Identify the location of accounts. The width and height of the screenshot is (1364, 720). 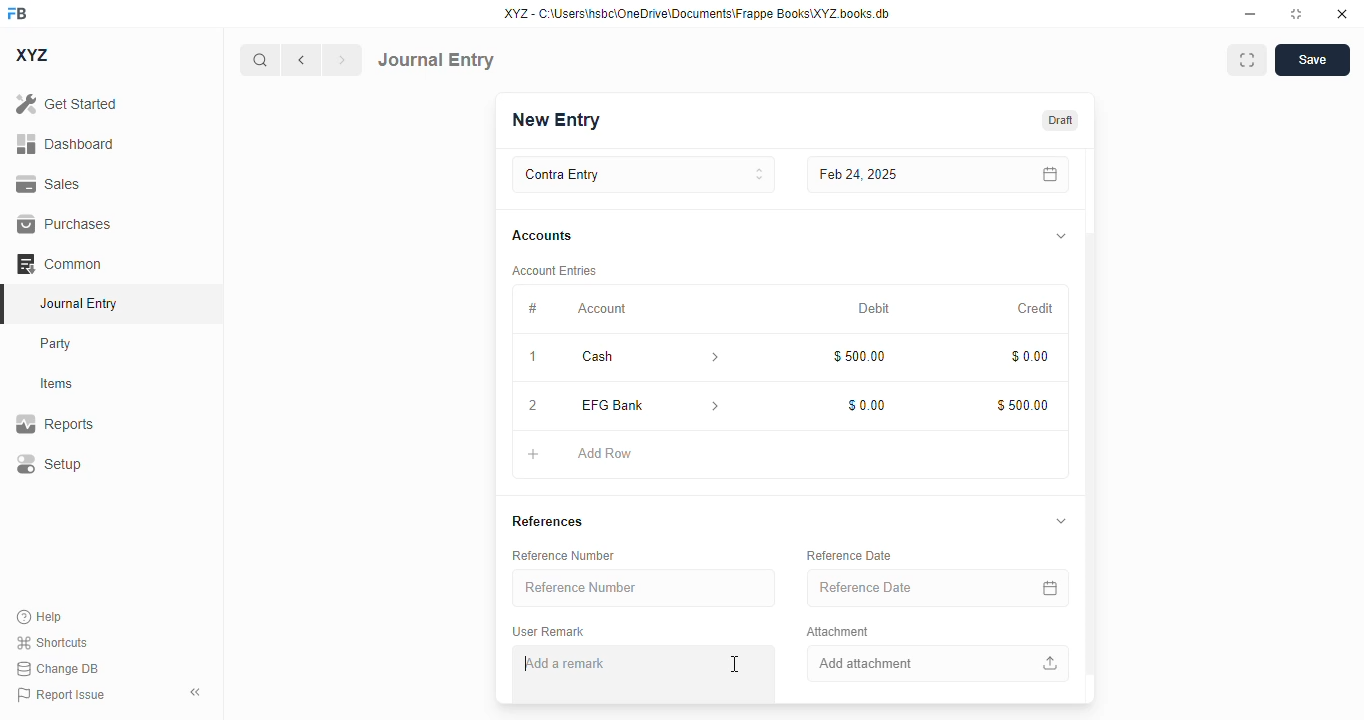
(542, 236).